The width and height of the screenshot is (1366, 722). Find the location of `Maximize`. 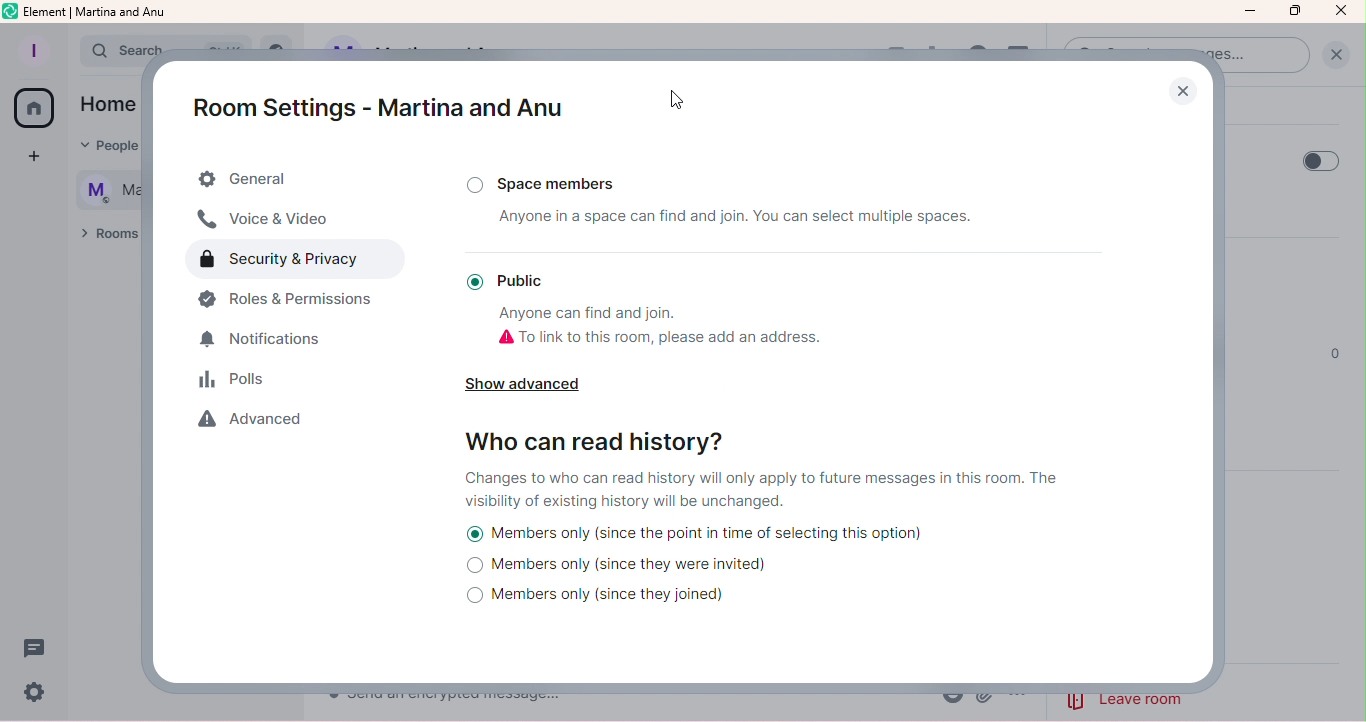

Maximize is located at coordinates (1296, 11).